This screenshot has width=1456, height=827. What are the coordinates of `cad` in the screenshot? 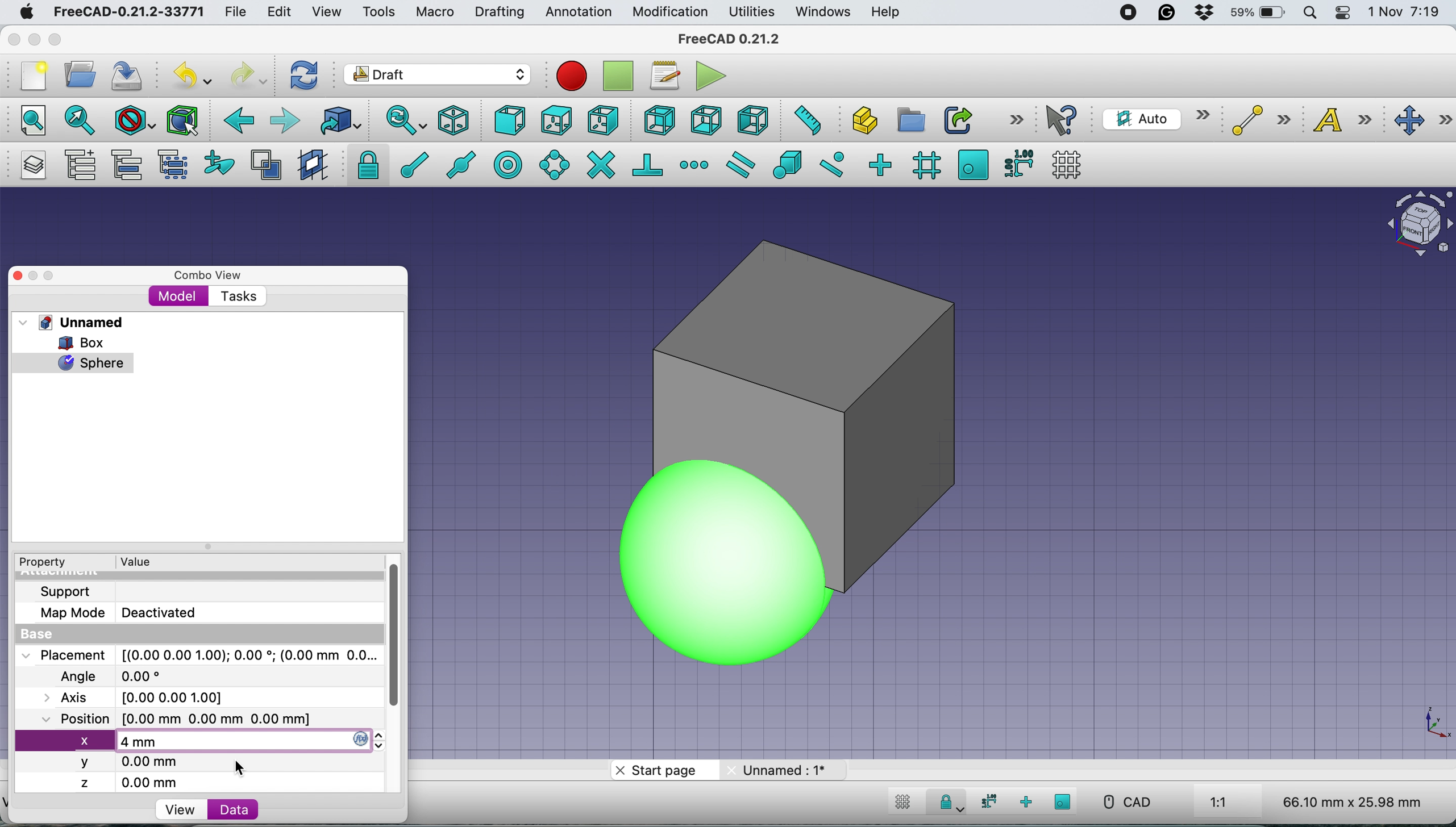 It's located at (1126, 802).